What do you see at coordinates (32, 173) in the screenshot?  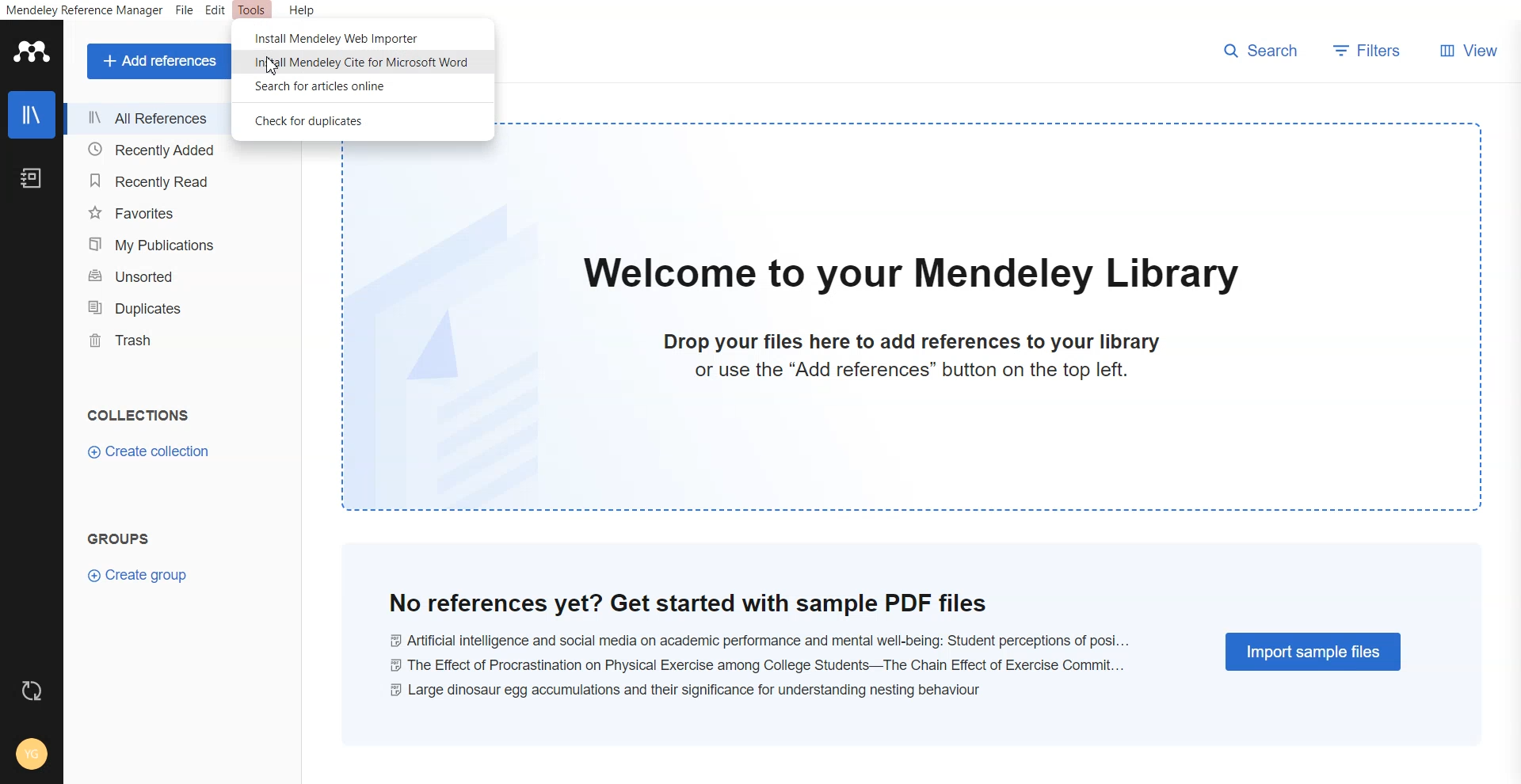 I see `Notebook icon` at bounding box center [32, 173].